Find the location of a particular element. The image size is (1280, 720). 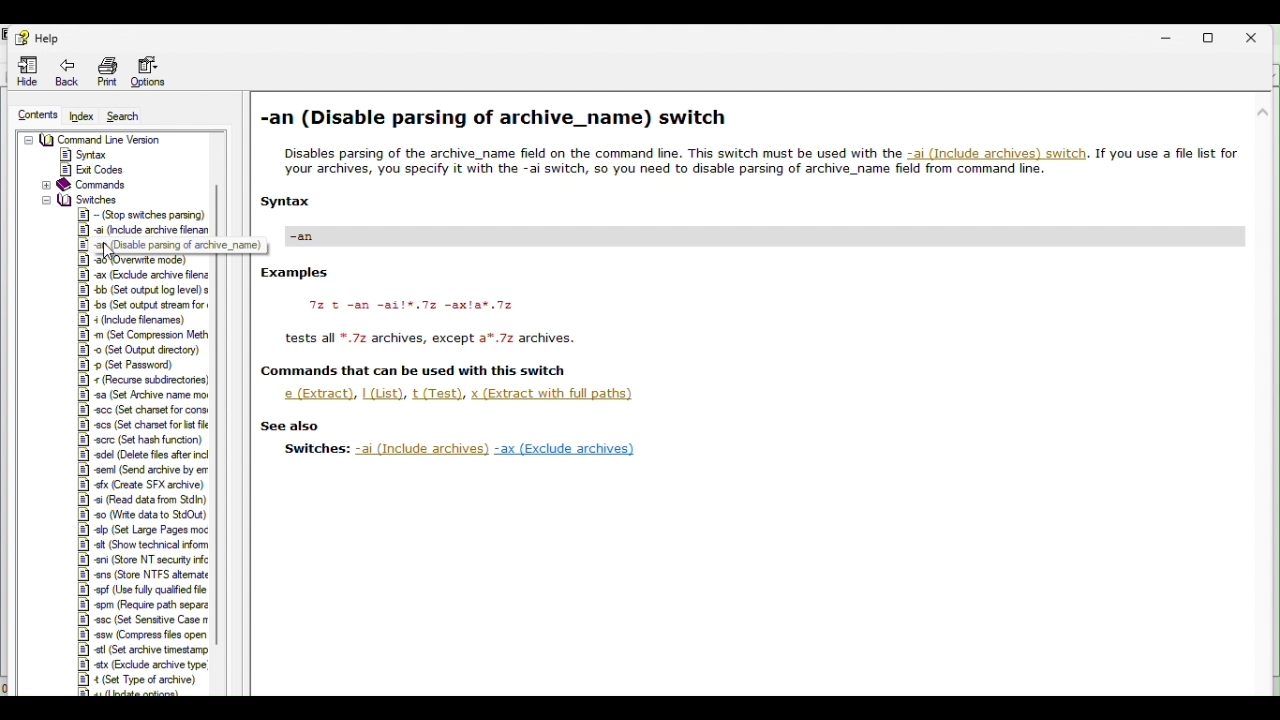

Exit Codes is located at coordinates (99, 170).